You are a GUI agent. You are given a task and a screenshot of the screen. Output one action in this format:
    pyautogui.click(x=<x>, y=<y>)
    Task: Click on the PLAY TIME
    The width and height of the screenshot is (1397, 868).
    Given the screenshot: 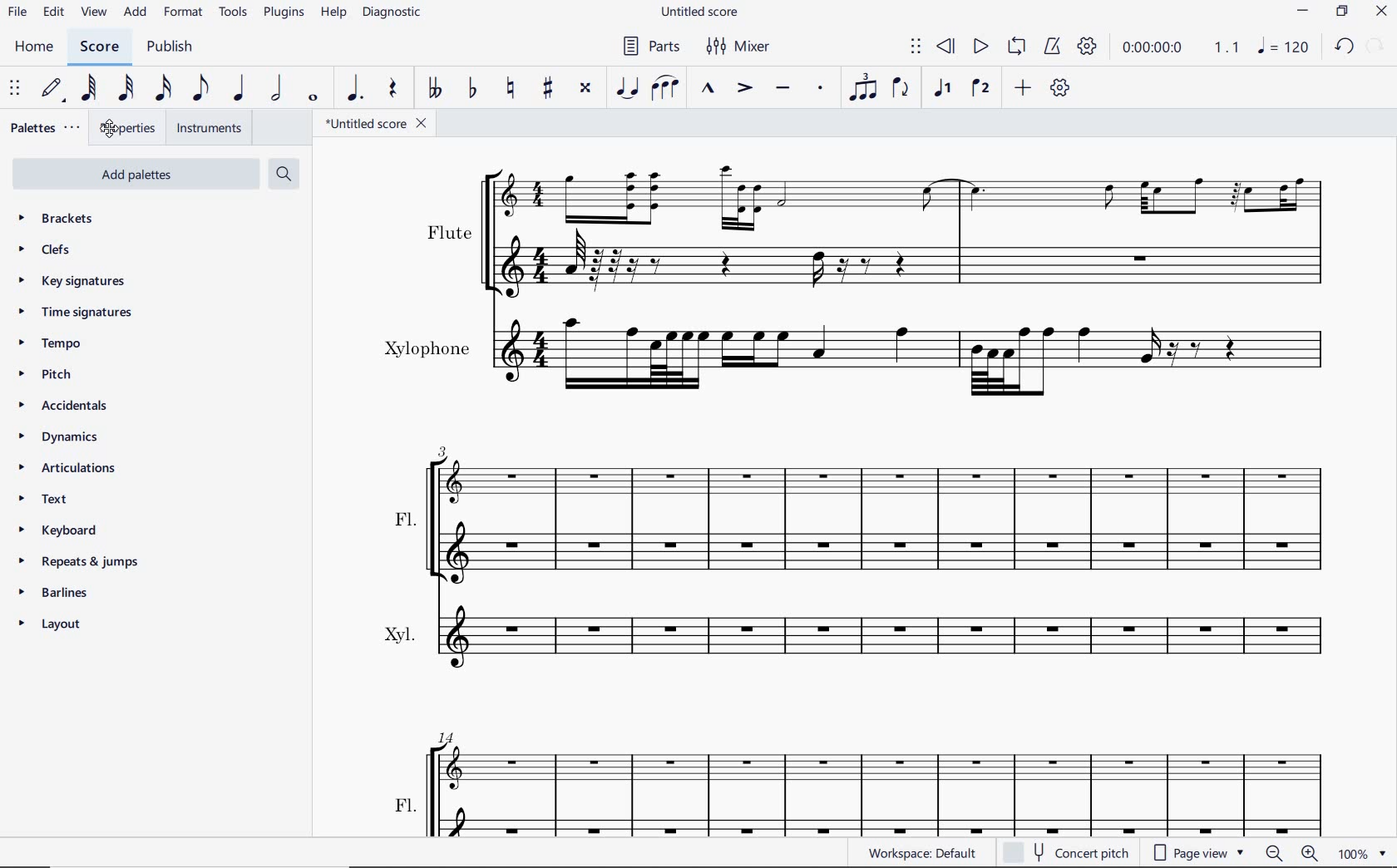 What is the action you would take?
    pyautogui.click(x=1136, y=49)
    